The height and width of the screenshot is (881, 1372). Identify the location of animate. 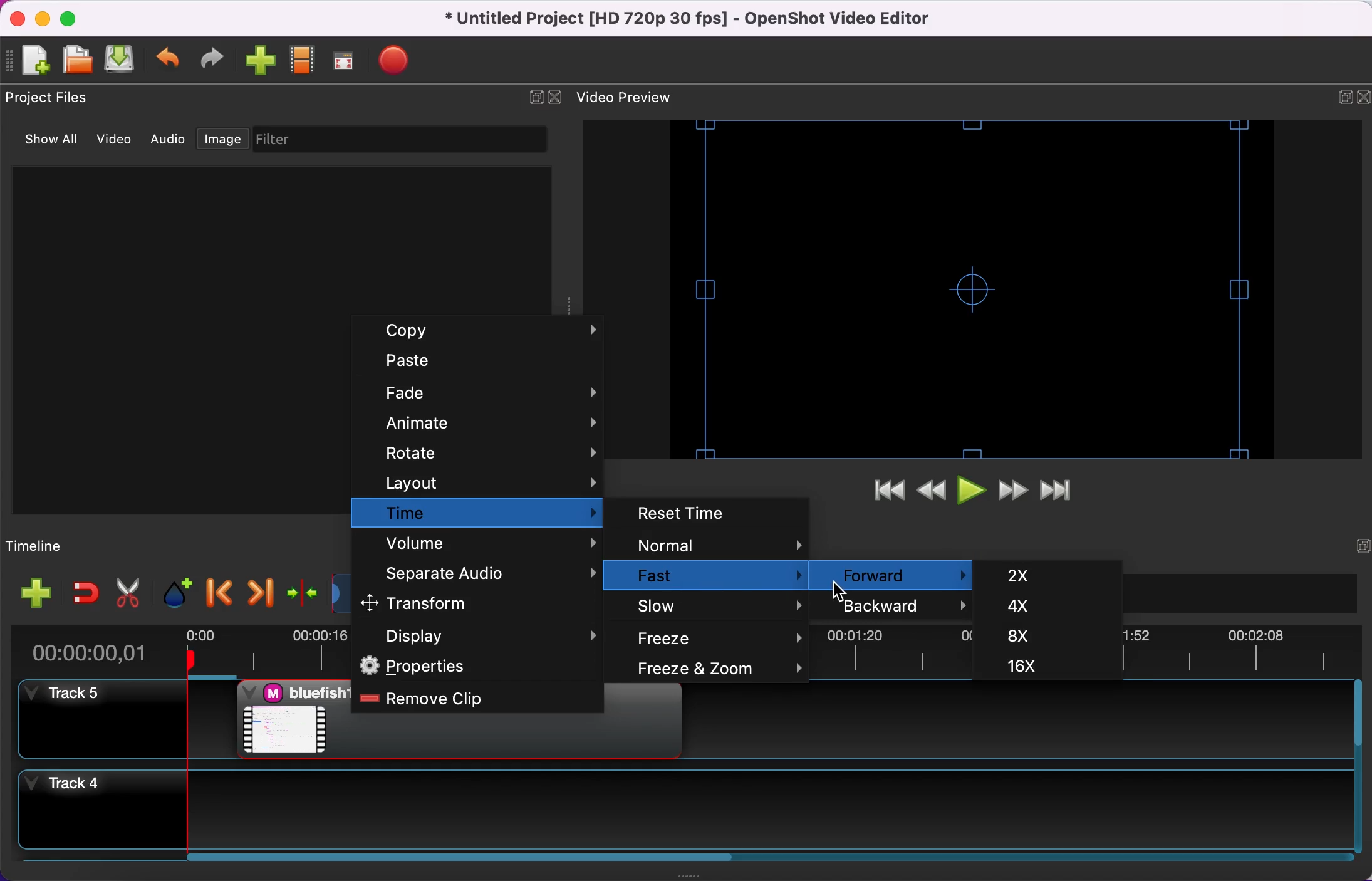
(489, 425).